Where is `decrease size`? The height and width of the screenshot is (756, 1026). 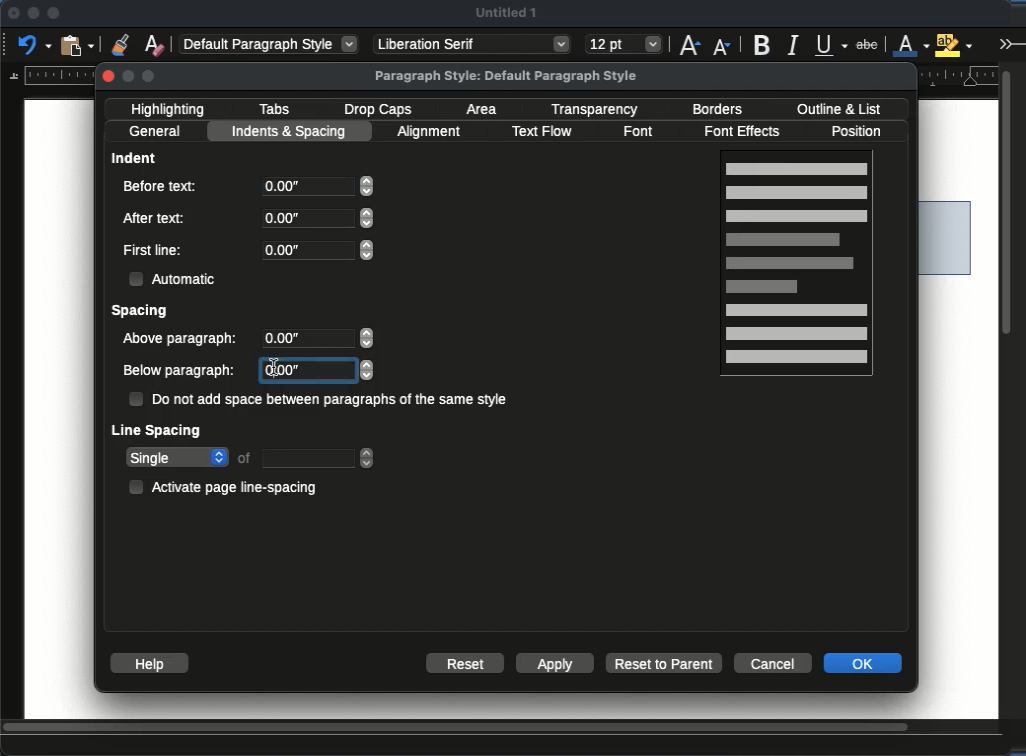
decrease size is located at coordinates (723, 45).